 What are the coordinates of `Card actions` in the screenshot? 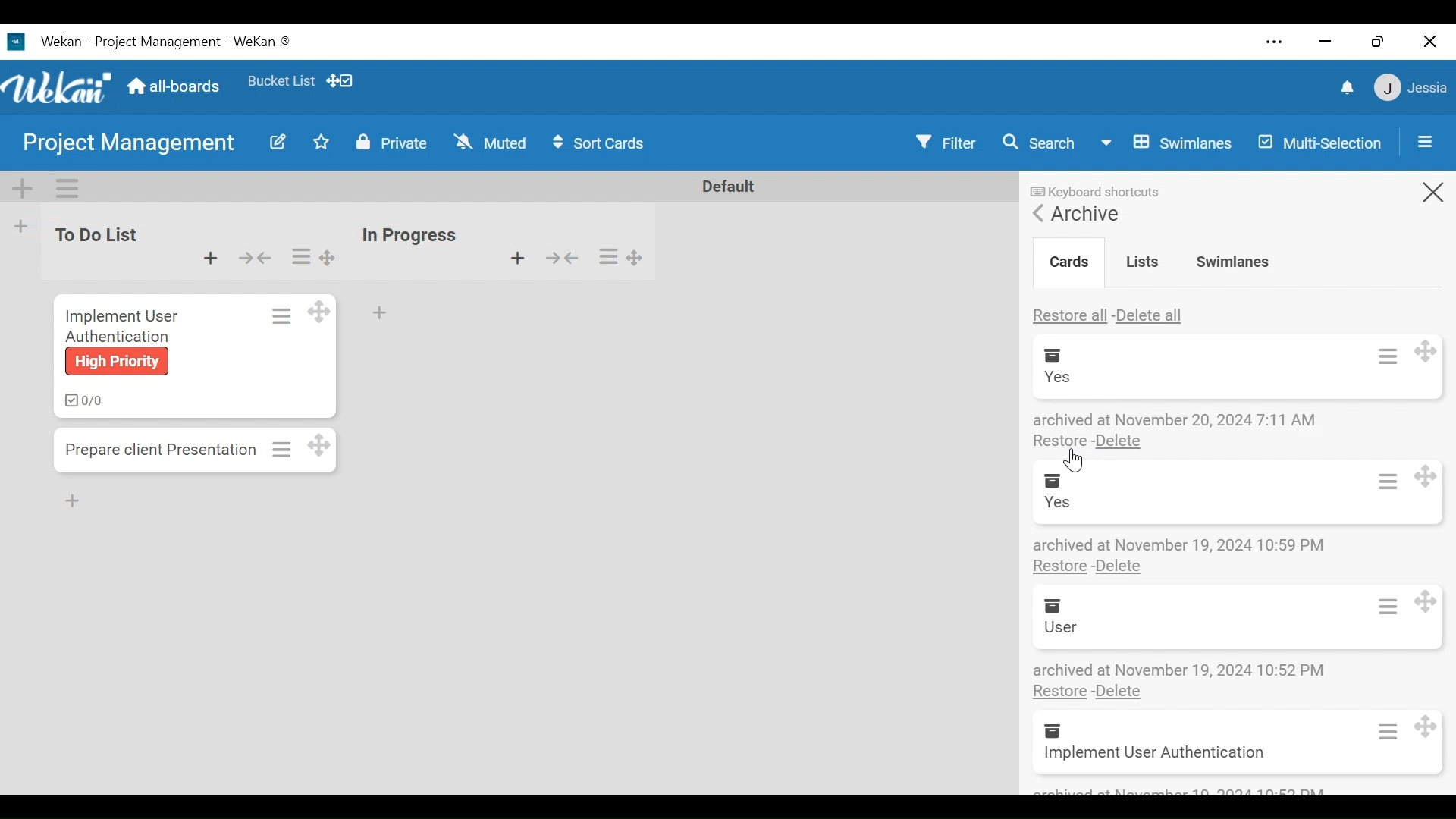 It's located at (1381, 481).